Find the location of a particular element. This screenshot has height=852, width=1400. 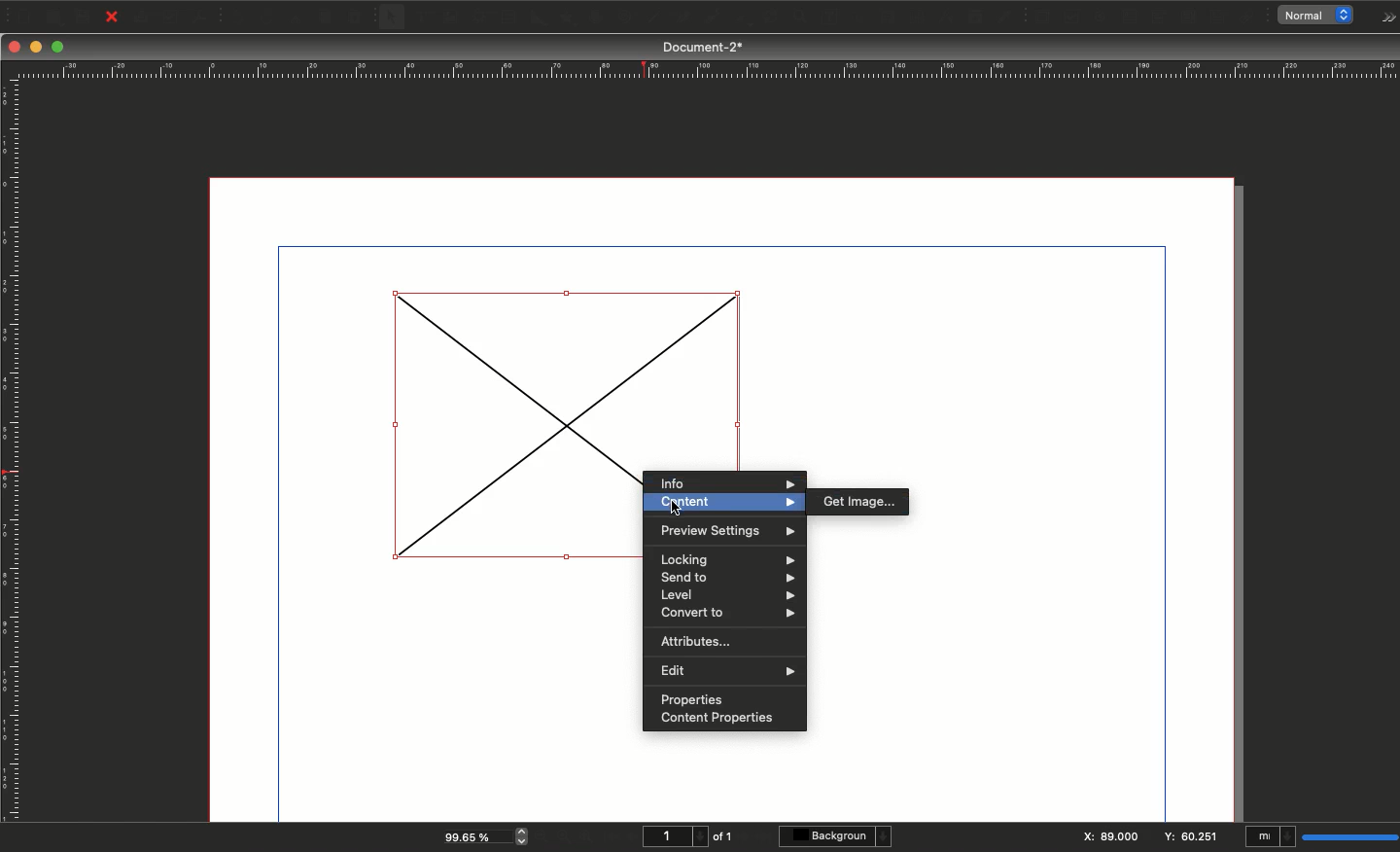

Locking is located at coordinates (723, 556).